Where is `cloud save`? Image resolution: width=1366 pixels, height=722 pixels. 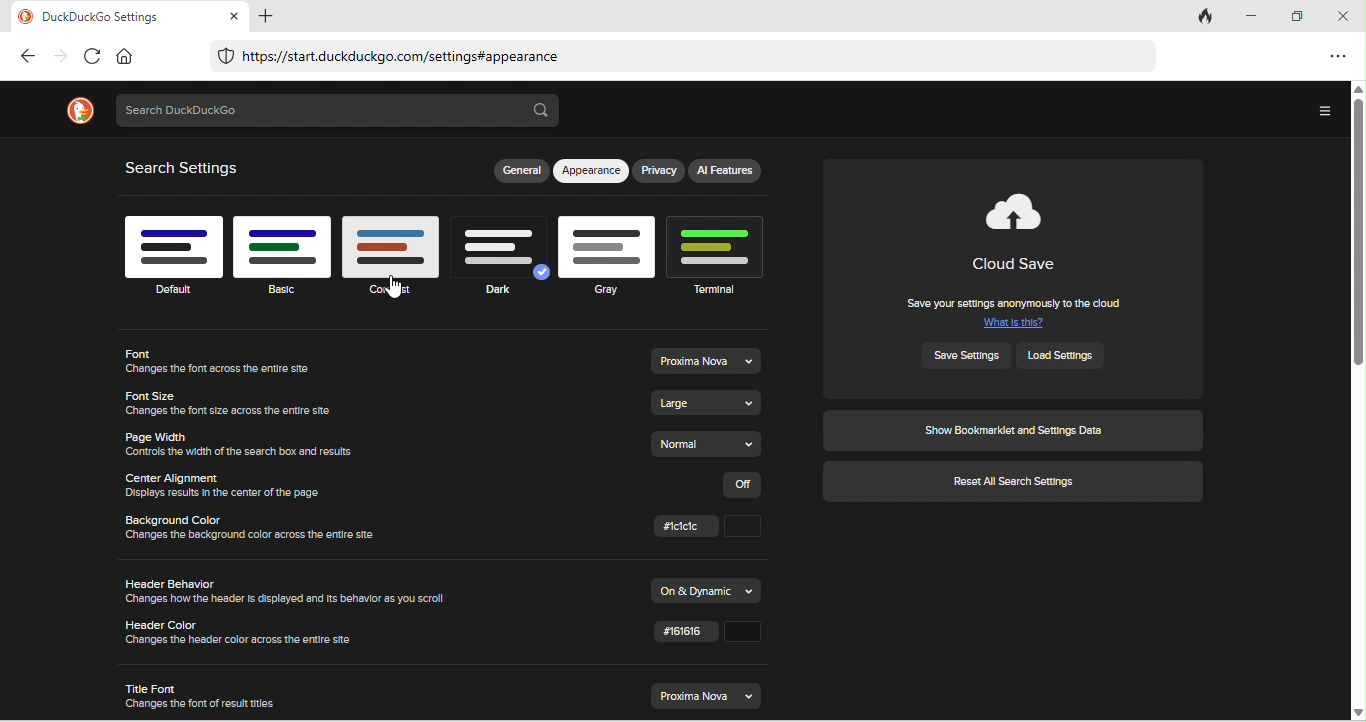
cloud save is located at coordinates (1021, 233).